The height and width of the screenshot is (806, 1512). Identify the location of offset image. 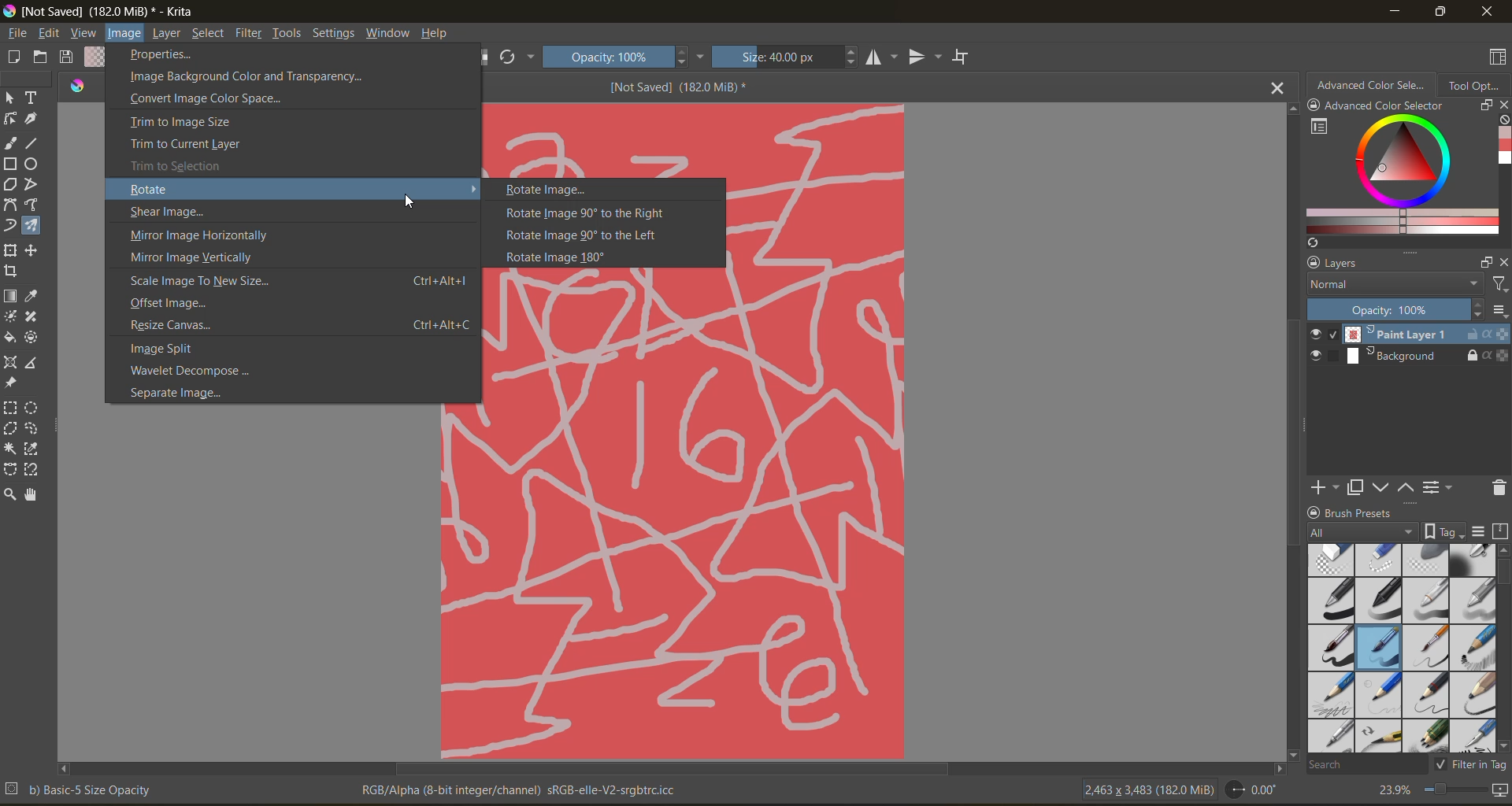
(184, 304).